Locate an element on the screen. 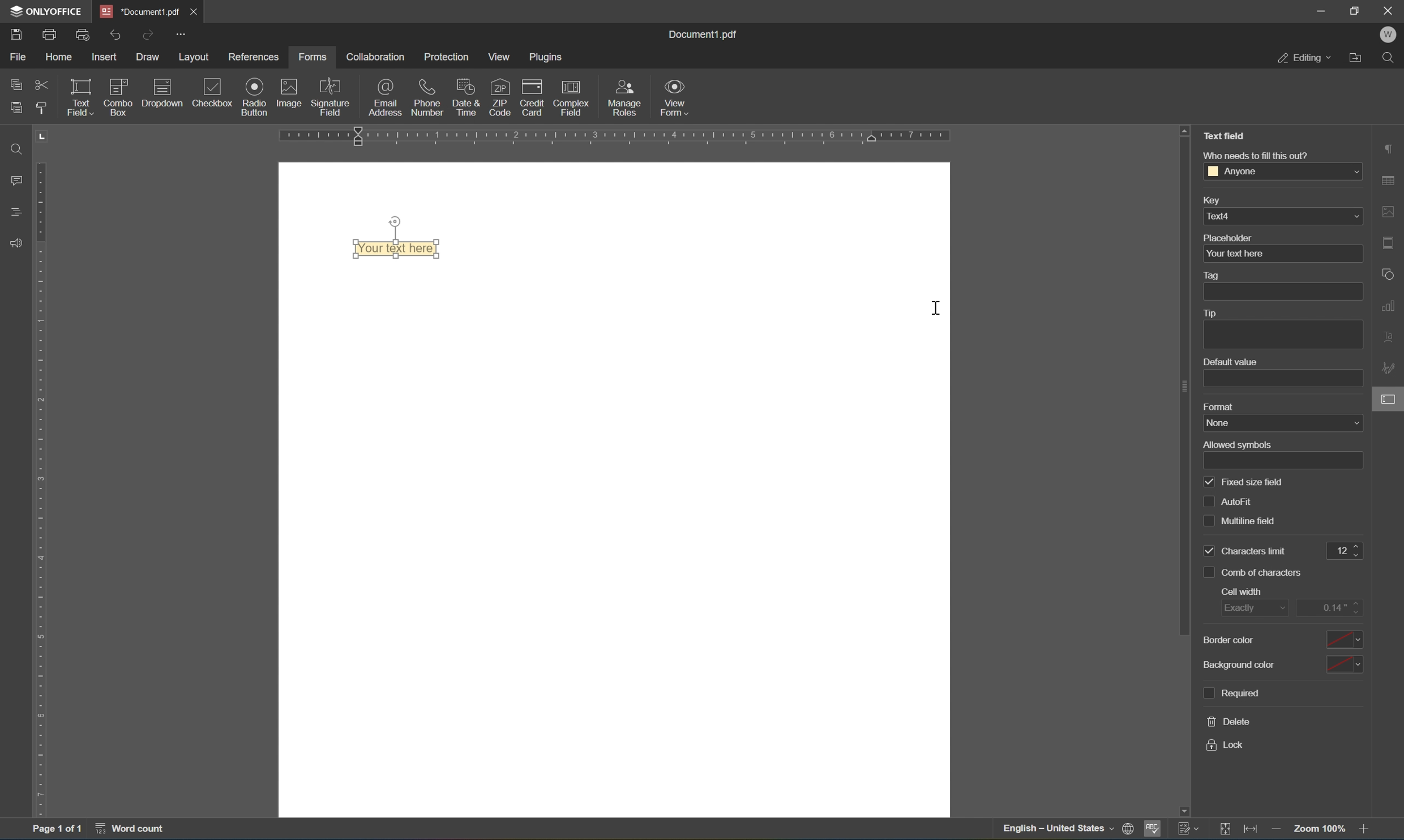 This screenshot has width=1404, height=840. paste is located at coordinates (16, 108).